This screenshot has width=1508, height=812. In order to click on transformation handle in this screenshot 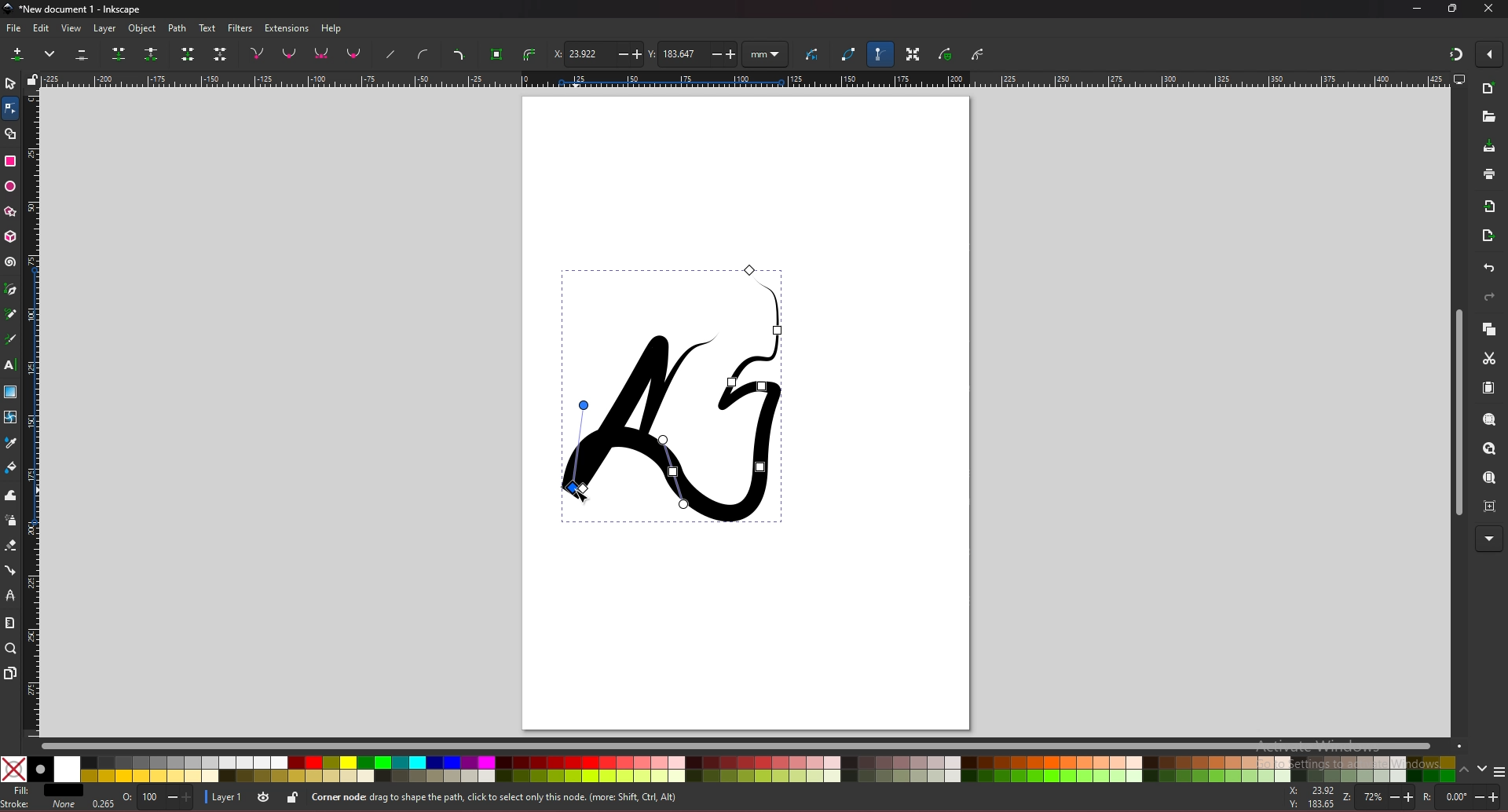, I will do `click(913, 53)`.